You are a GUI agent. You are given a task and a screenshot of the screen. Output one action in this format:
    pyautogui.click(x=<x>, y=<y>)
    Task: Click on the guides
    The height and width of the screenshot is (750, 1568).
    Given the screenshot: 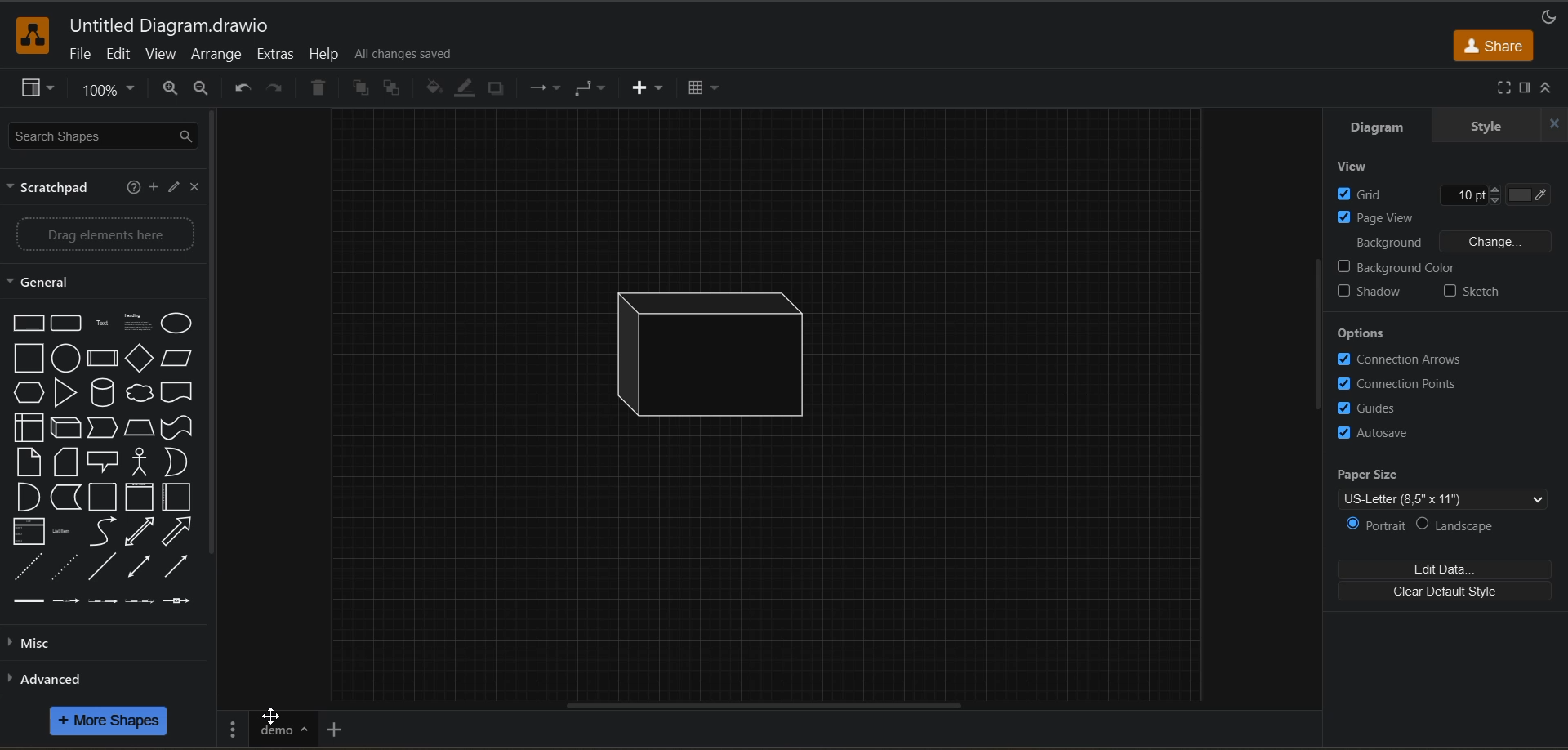 What is the action you would take?
    pyautogui.click(x=1378, y=407)
    